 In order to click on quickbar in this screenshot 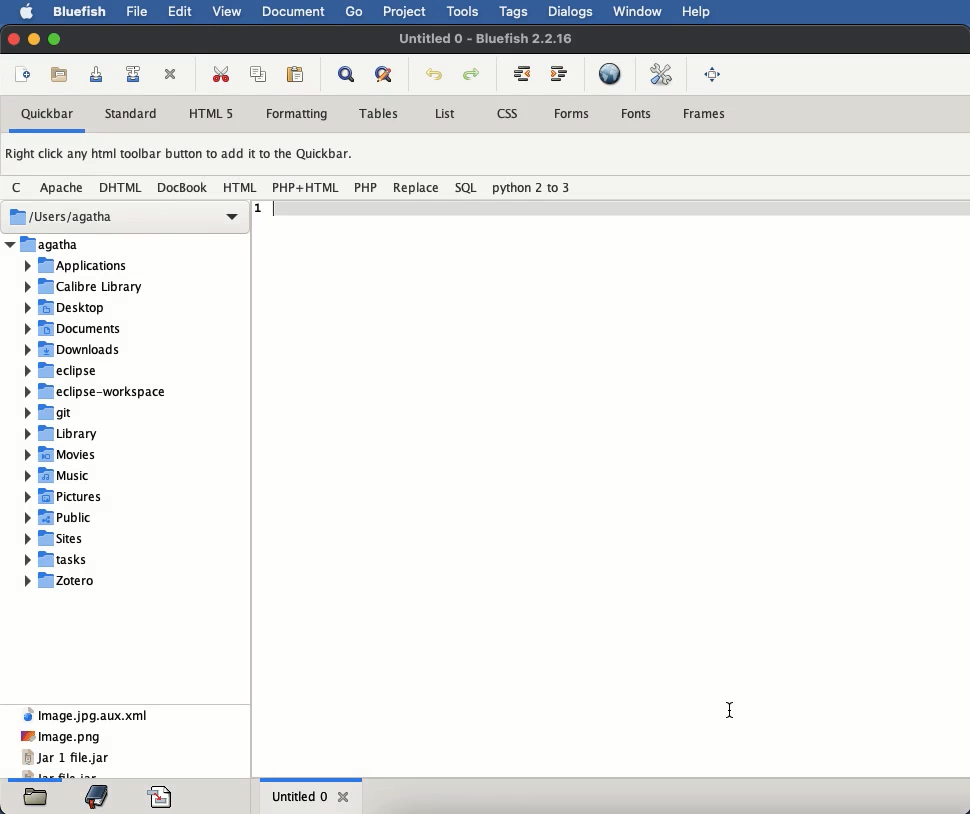, I will do `click(48, 113)`.